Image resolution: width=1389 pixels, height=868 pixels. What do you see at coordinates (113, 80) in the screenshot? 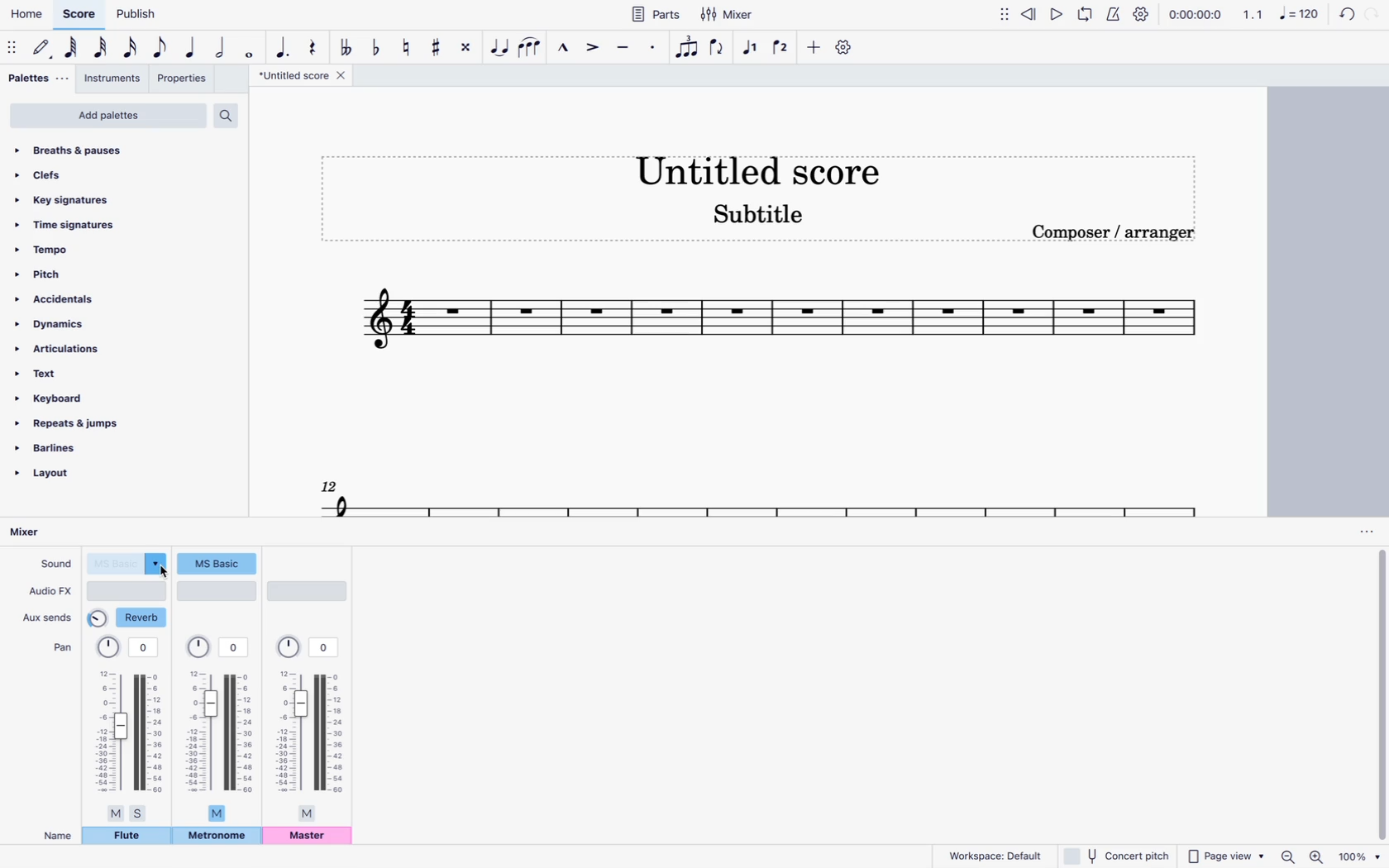
I see `instruments` at bounding box center [113, 80].